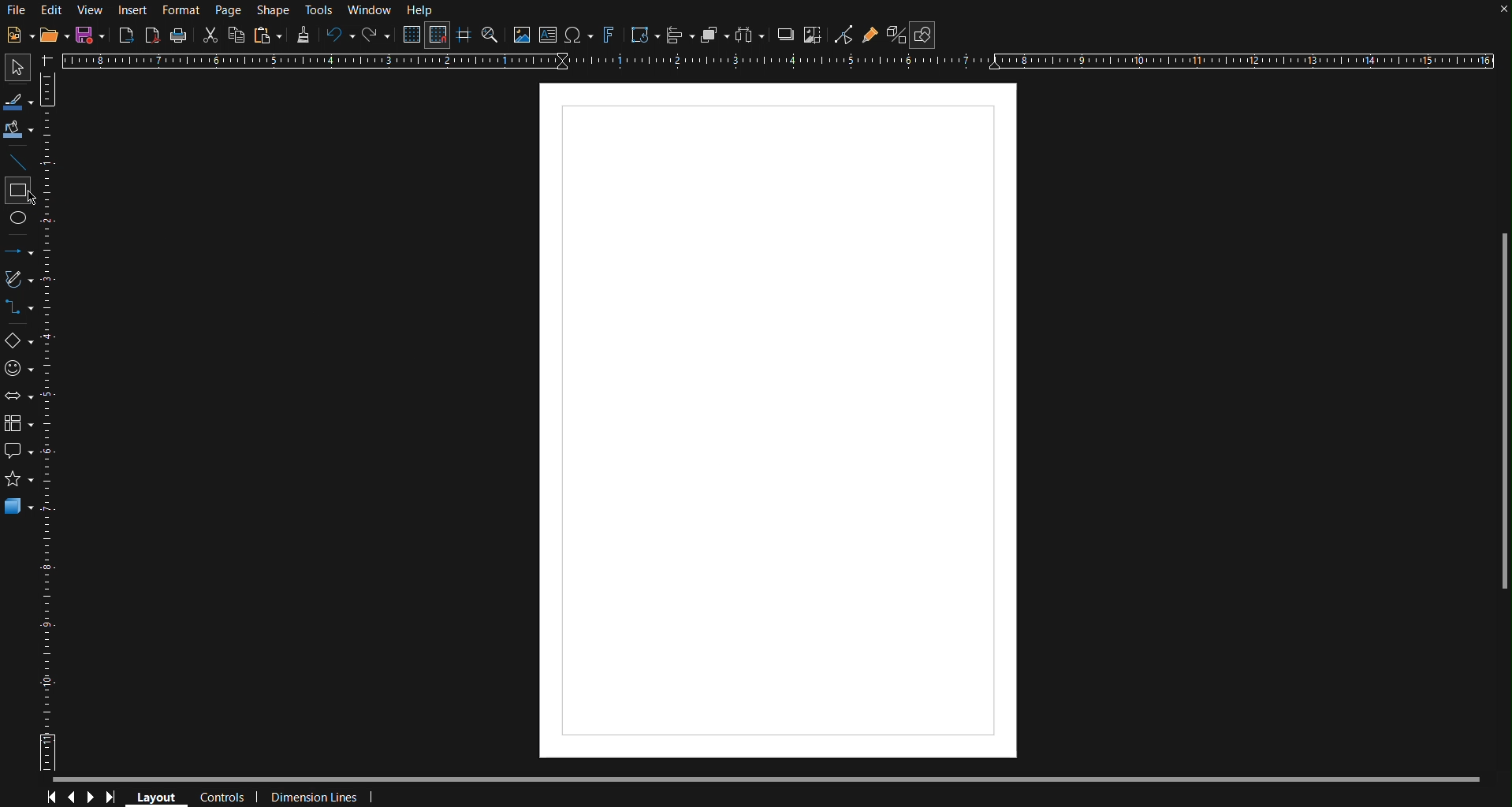 Image resolution: width=1512 pixels, height=807 pixels. What do you see at coordinates (20, 222) in the screenshot?
I see `Ellipse` at bounding box center [20, 222].